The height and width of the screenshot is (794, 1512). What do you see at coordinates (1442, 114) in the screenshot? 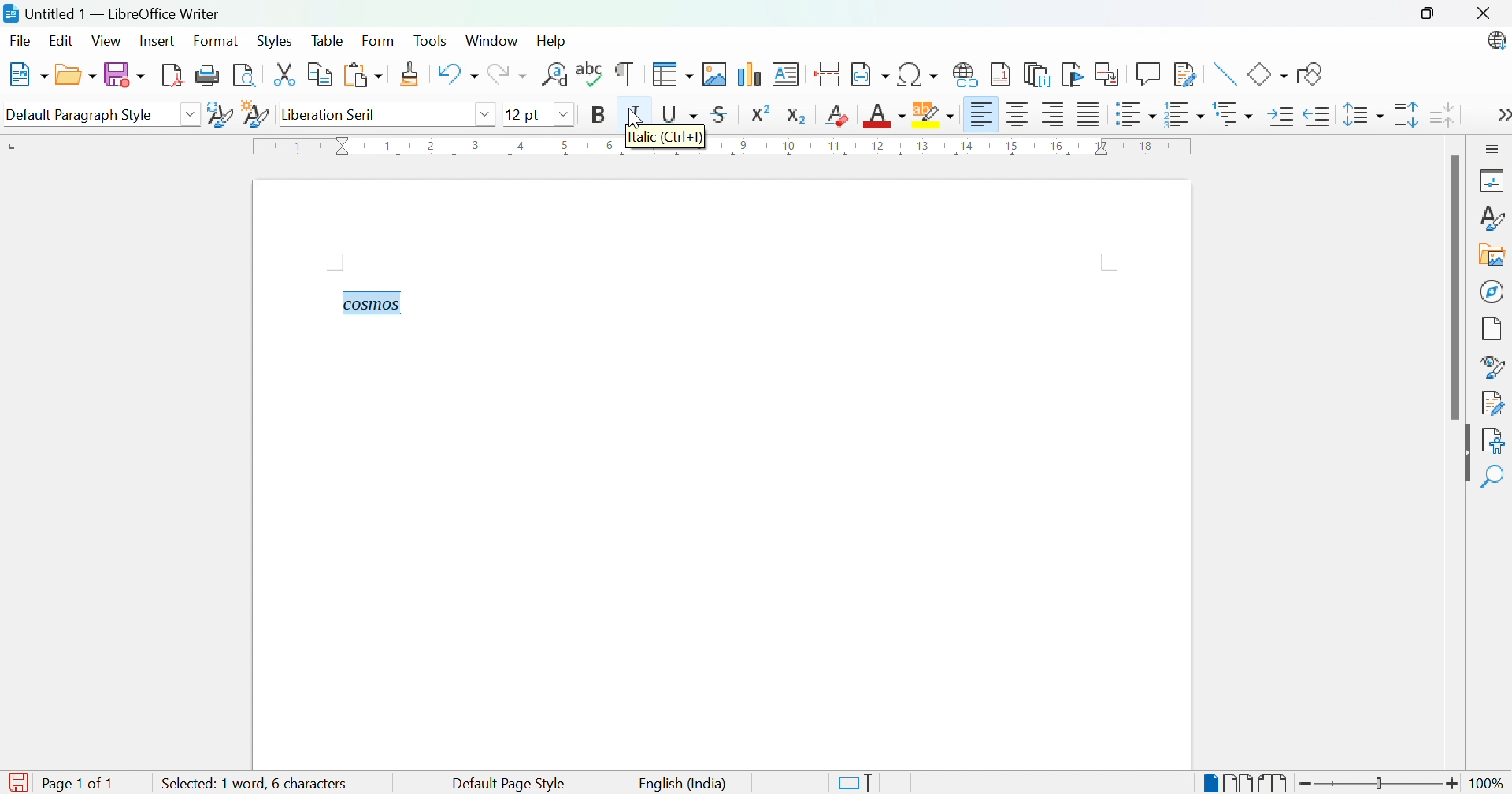
I see `Decrease paragraph spacing` at bounding box center [1442, 114].